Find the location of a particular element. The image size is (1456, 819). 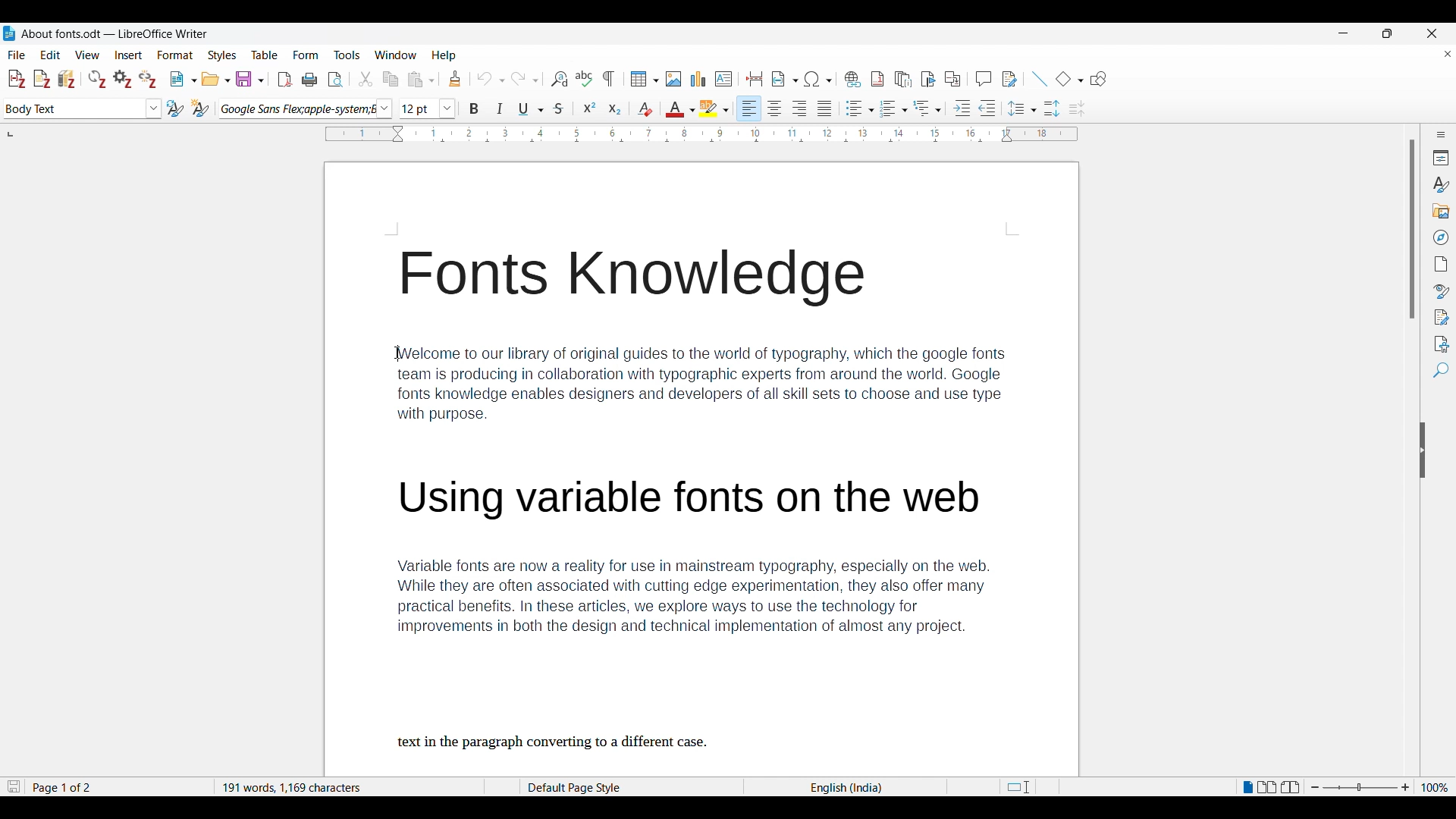

Page is located at coordinates (1441, 264).